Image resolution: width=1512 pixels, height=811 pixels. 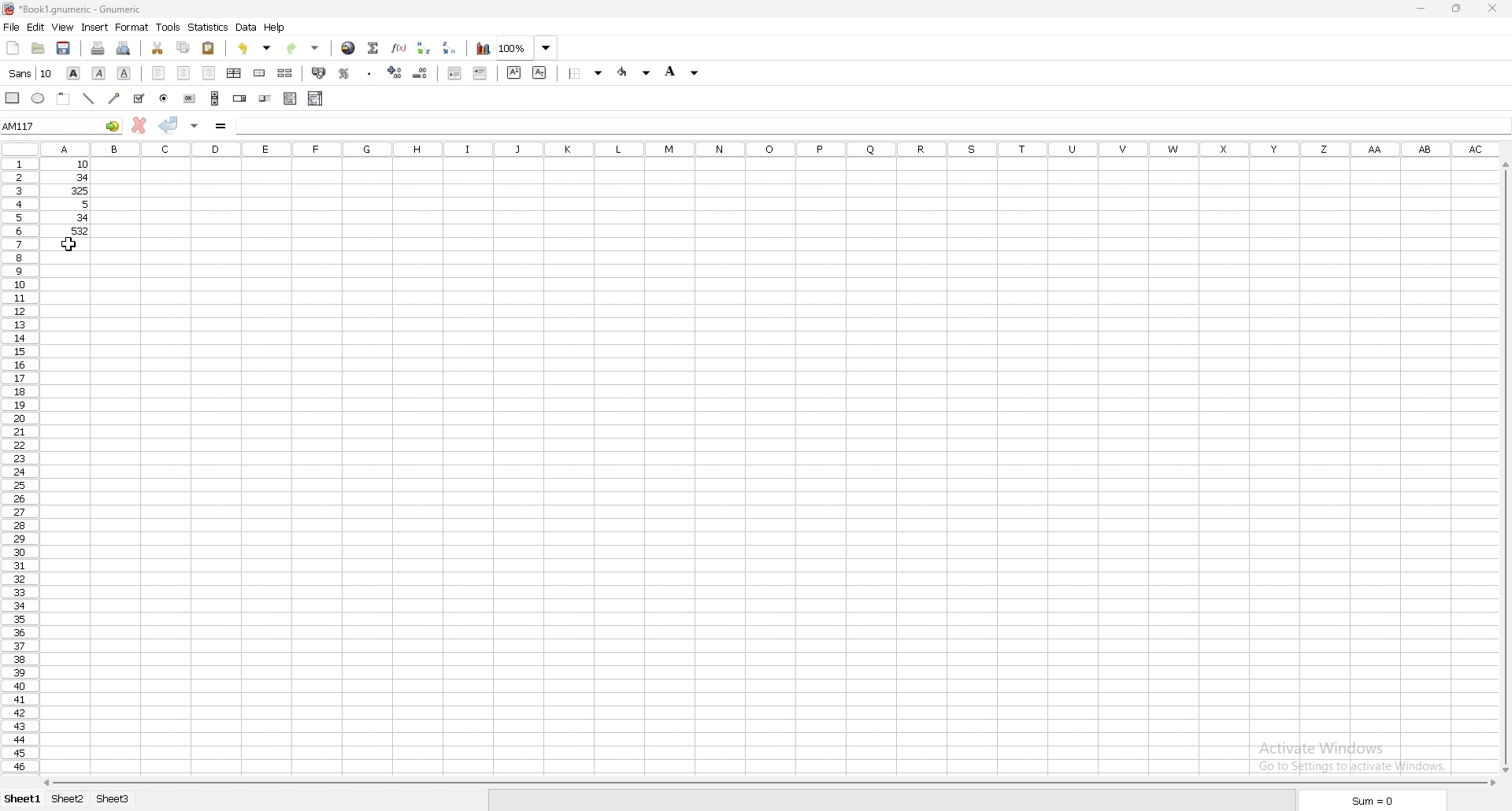 What do you see at coordinates (1492, 9) in the screenshot?
I see `close` at bounding box center [1492, 9].